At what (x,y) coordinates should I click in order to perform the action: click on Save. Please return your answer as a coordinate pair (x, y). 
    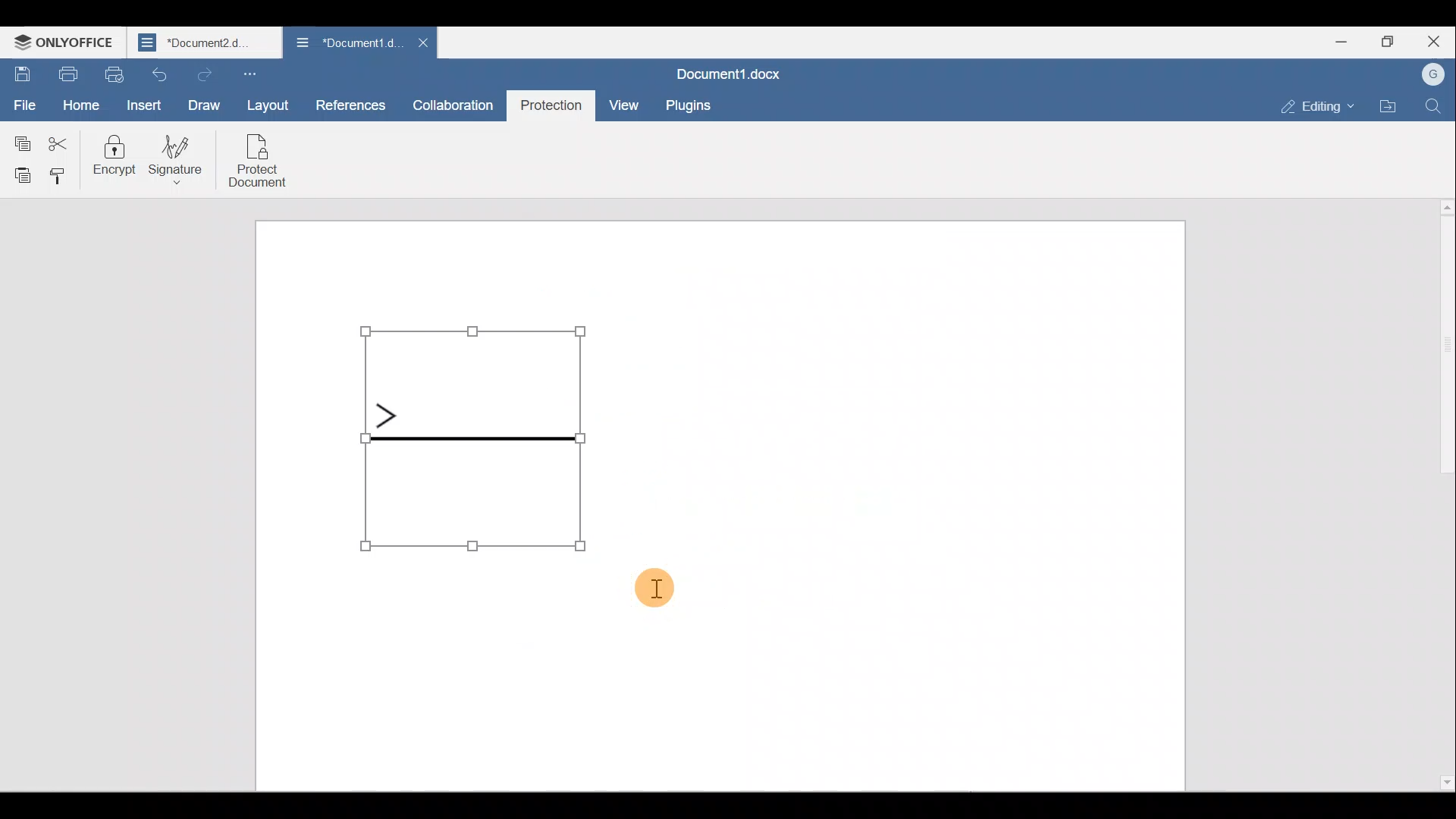
    Looking at the image, I should click on (21, 73).